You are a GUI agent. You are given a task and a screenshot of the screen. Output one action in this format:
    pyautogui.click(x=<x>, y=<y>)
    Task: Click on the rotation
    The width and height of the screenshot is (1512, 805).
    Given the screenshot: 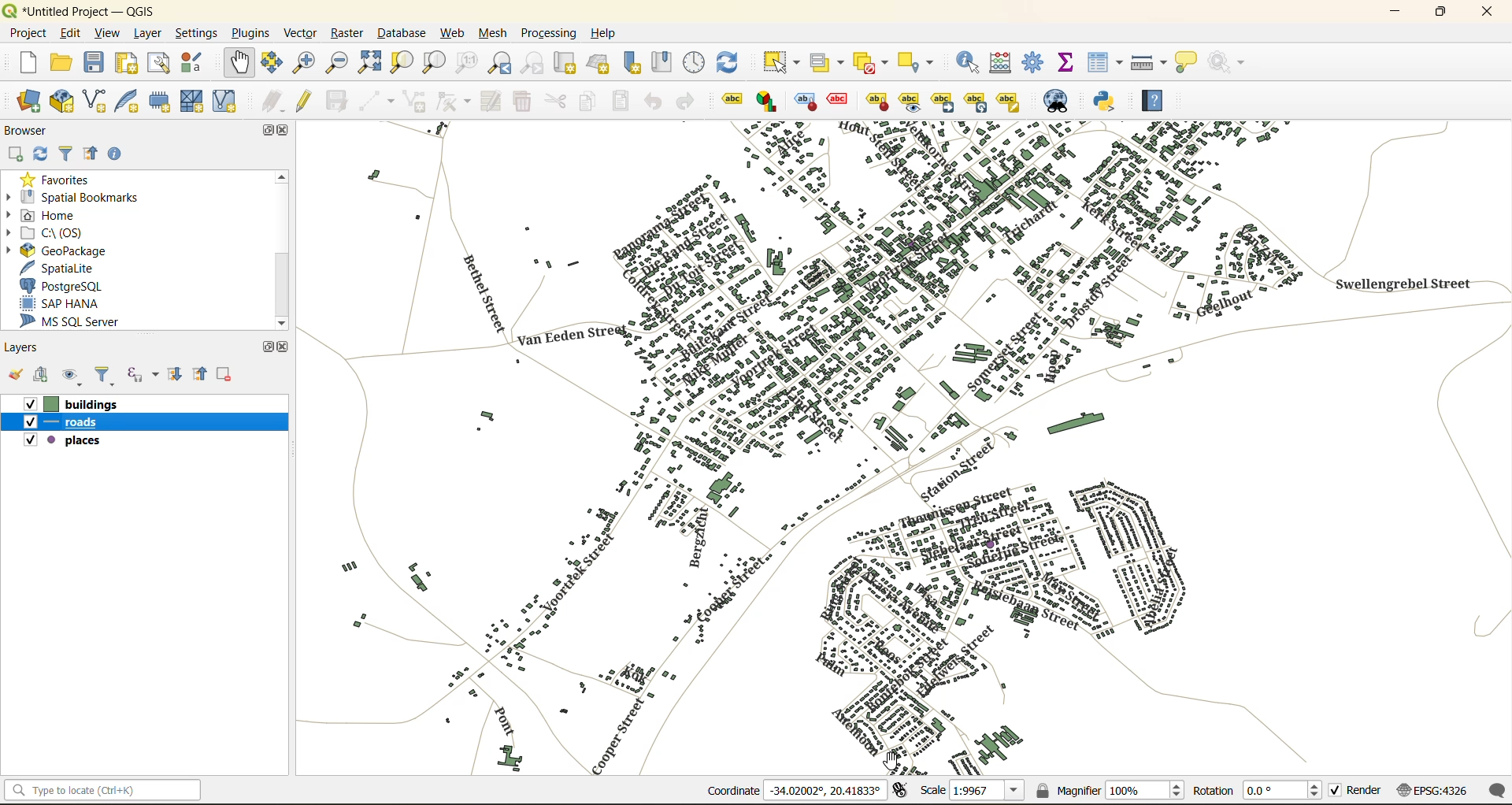 What is the action you would take?
    pyautogui.click(x=1254, y=789)
    